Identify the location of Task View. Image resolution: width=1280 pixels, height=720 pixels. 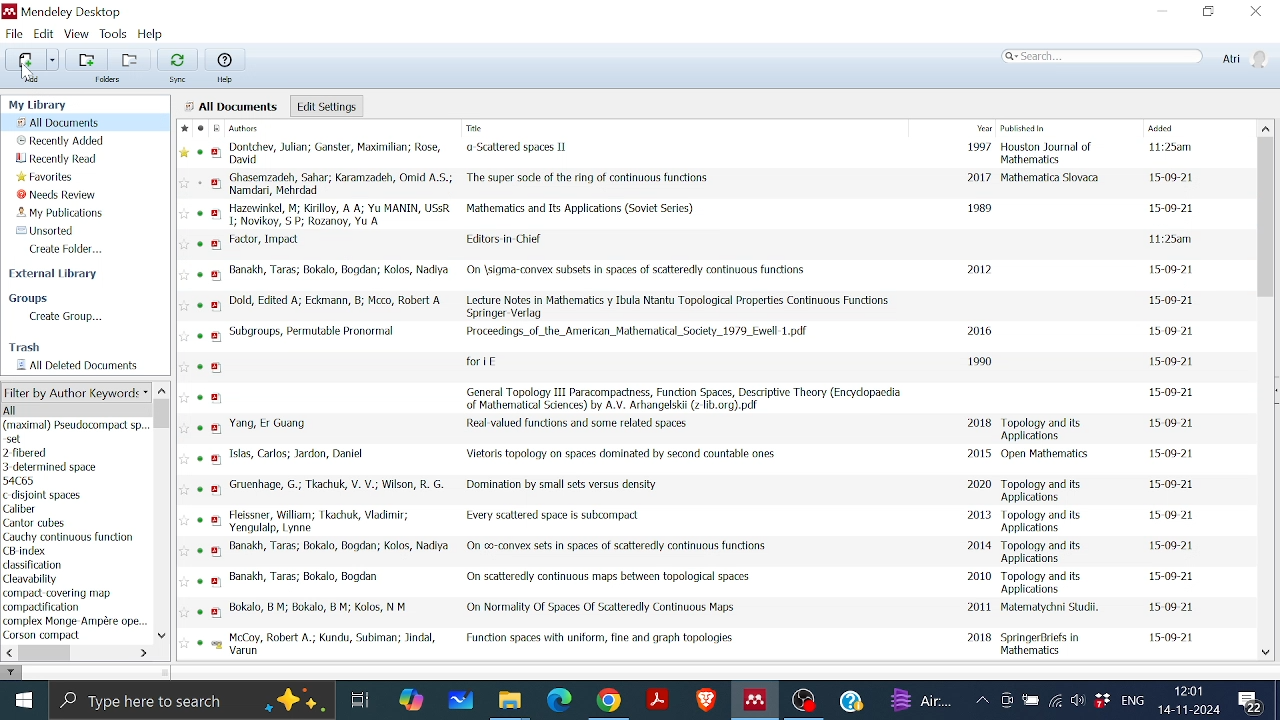
(360, 700).